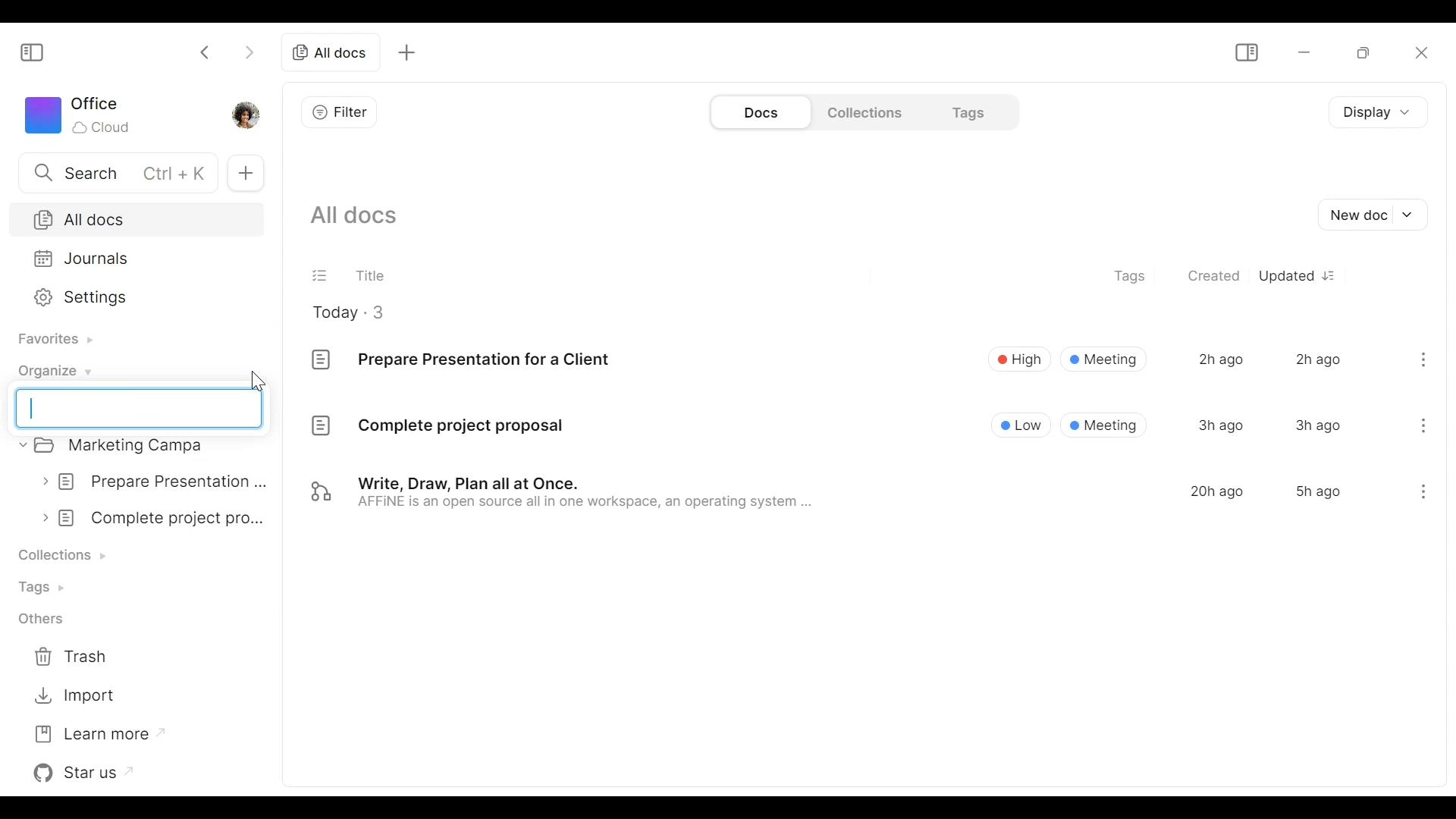 Image resolution: width=1456 pixels, height=819 pixels. What do you see at coordinates (1018, 358) in the screenshot?
I see `High` at bounding box center [1018, 358].